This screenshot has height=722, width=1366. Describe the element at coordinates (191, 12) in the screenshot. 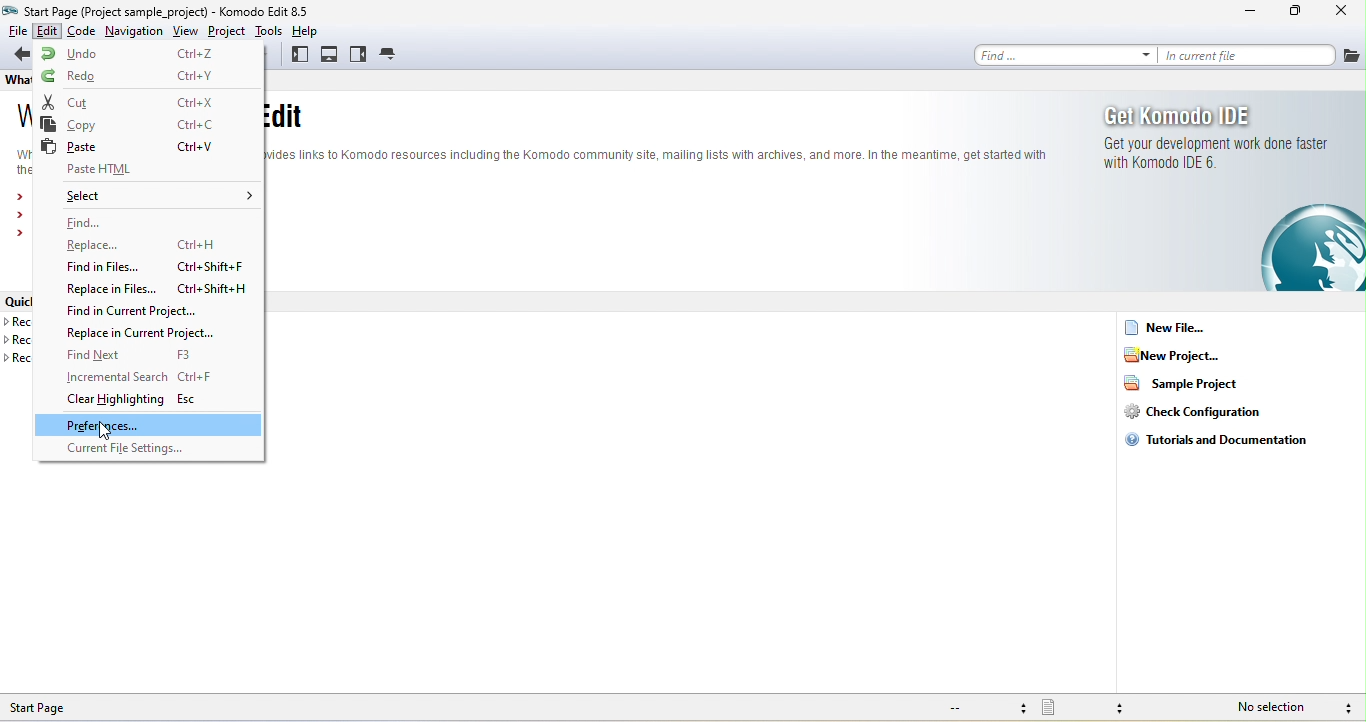

I see `titles` at that location.